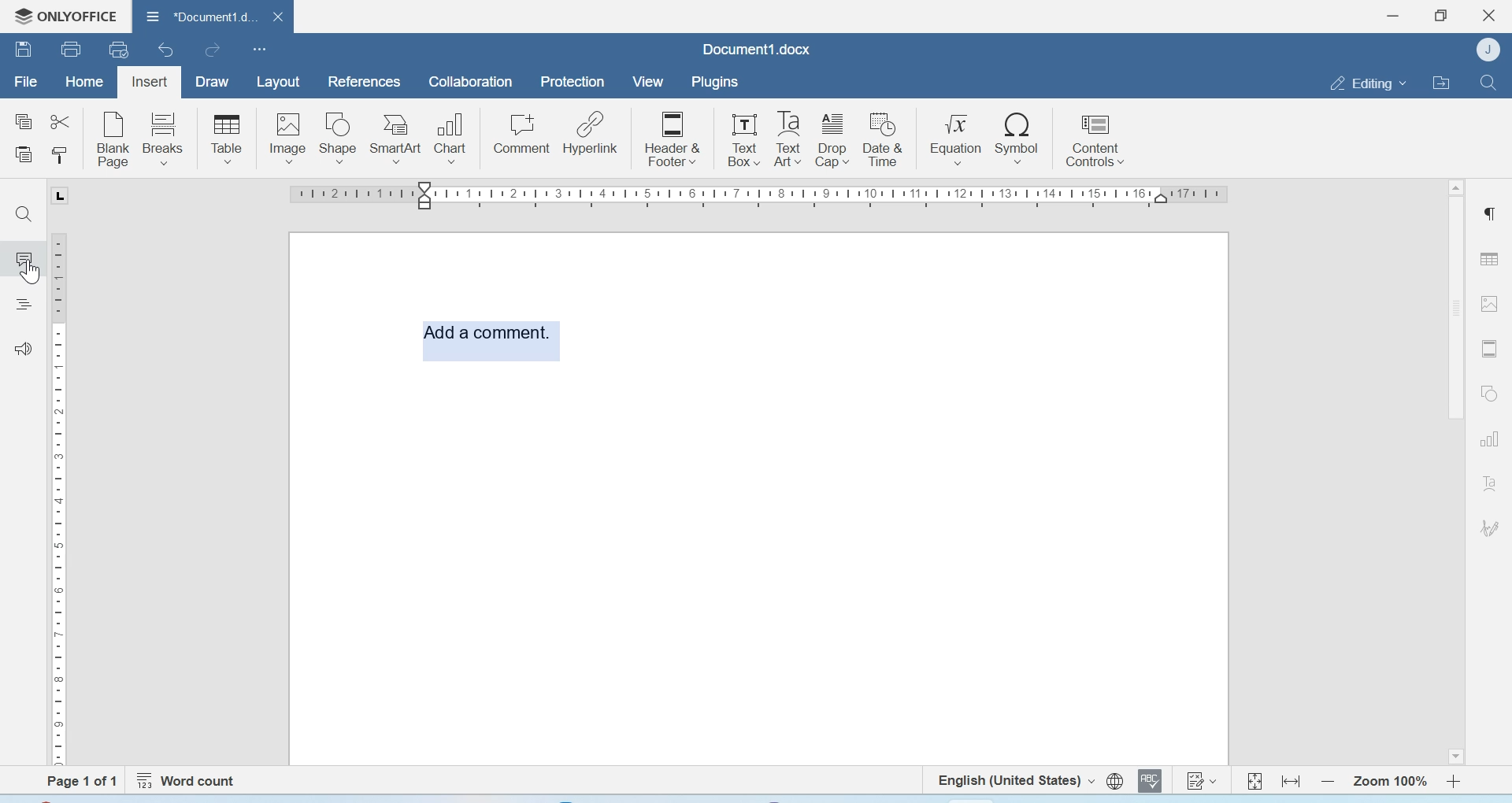  Describe the element at coordinates (647, 83) in the screenshot. I see `View` at that location.